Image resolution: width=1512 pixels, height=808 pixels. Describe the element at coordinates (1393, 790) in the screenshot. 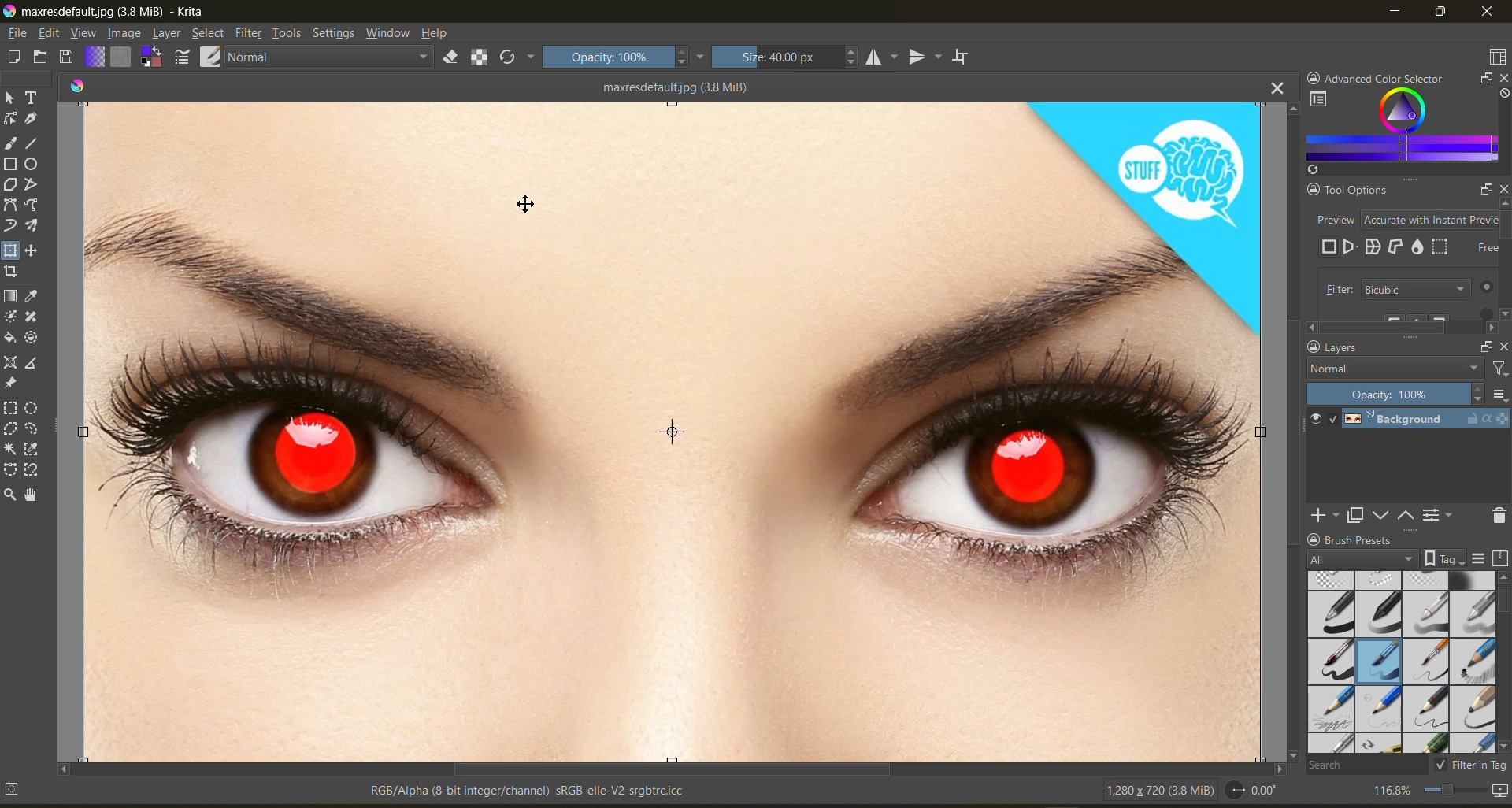

I see `zoom factor` at that location.